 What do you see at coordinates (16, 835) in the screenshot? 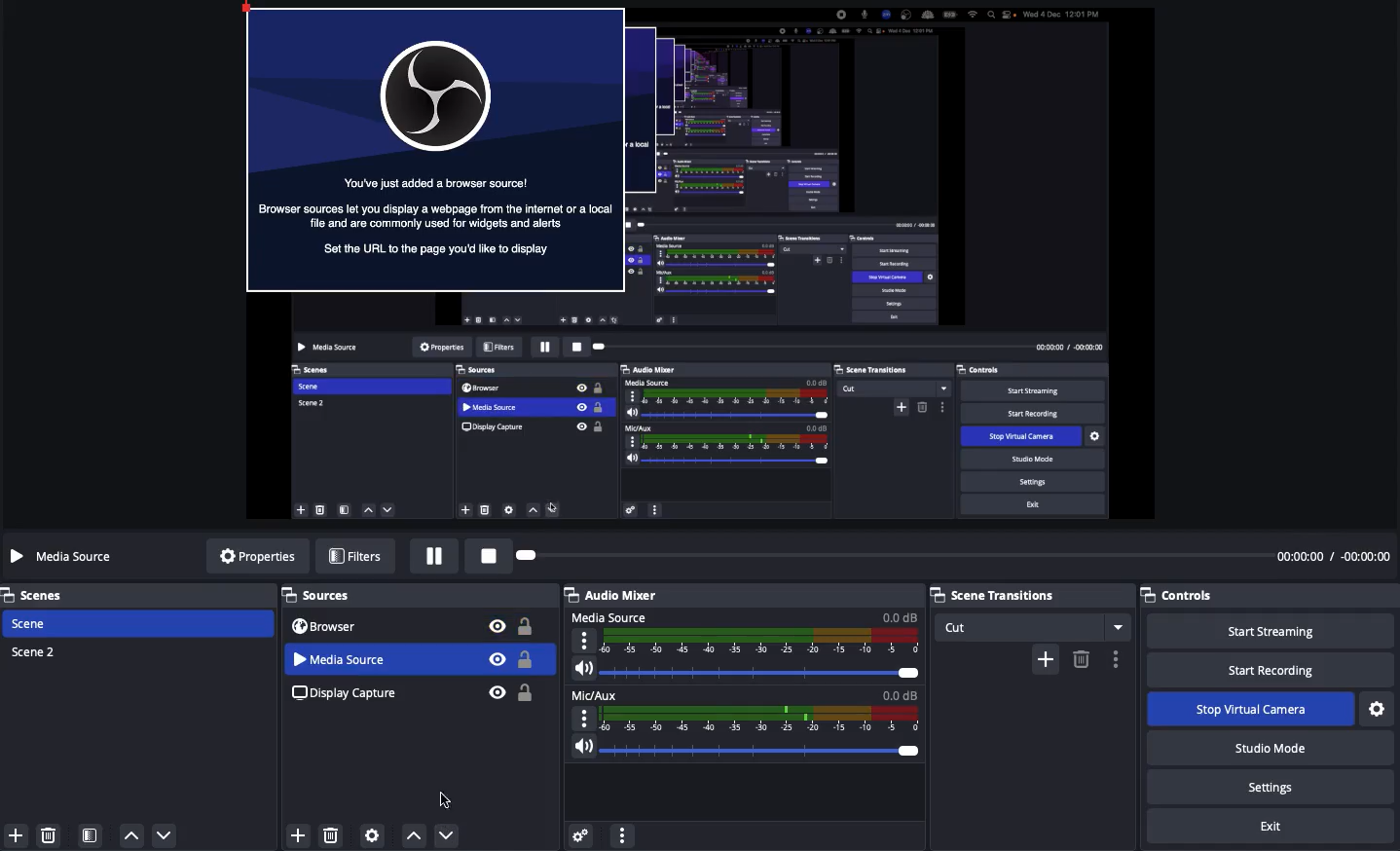
I see `Add` at bounding box center [16, 835].